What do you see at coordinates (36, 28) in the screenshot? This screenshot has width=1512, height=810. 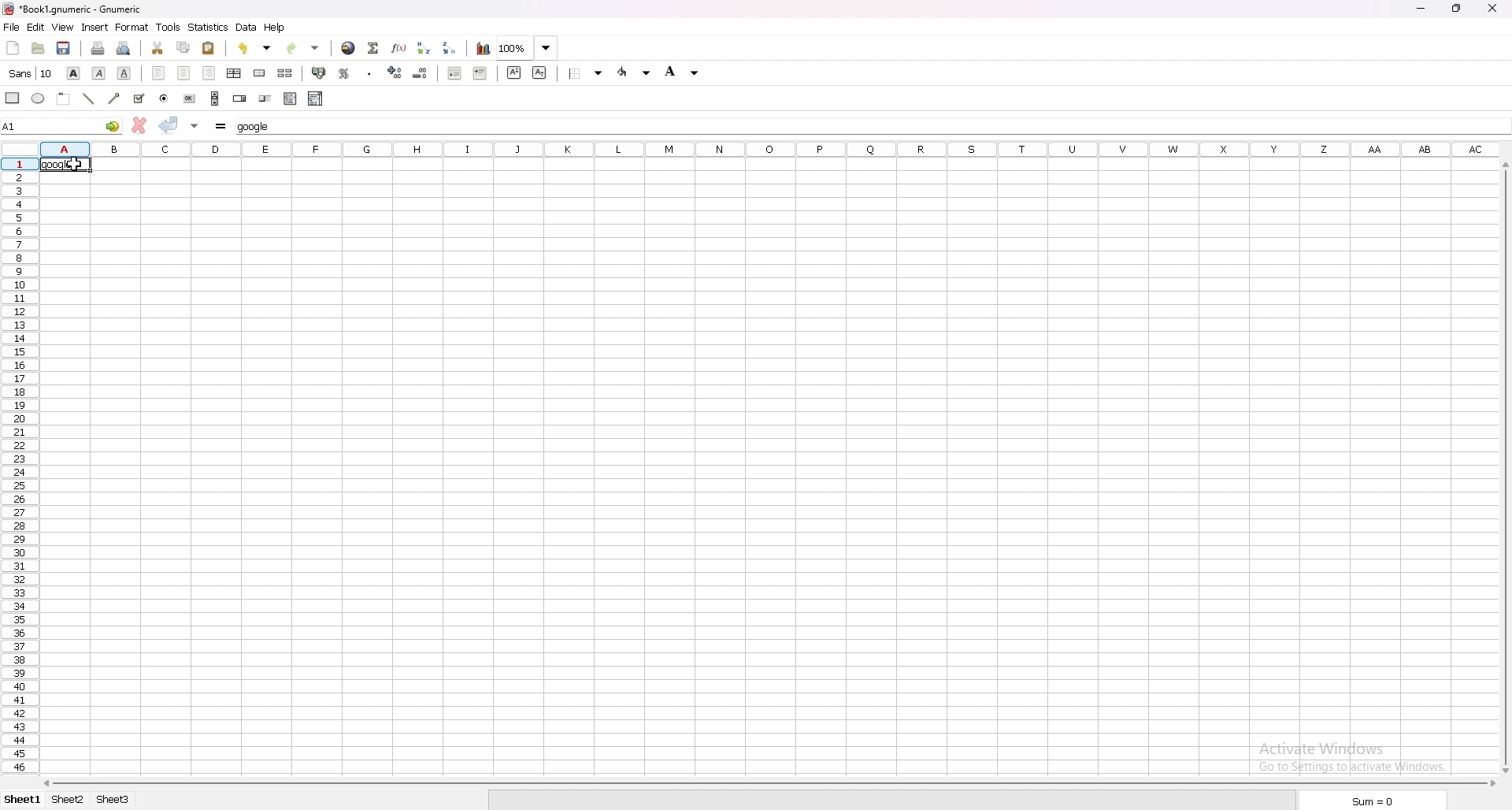 I see `edit` at bounding box center [36, 28].